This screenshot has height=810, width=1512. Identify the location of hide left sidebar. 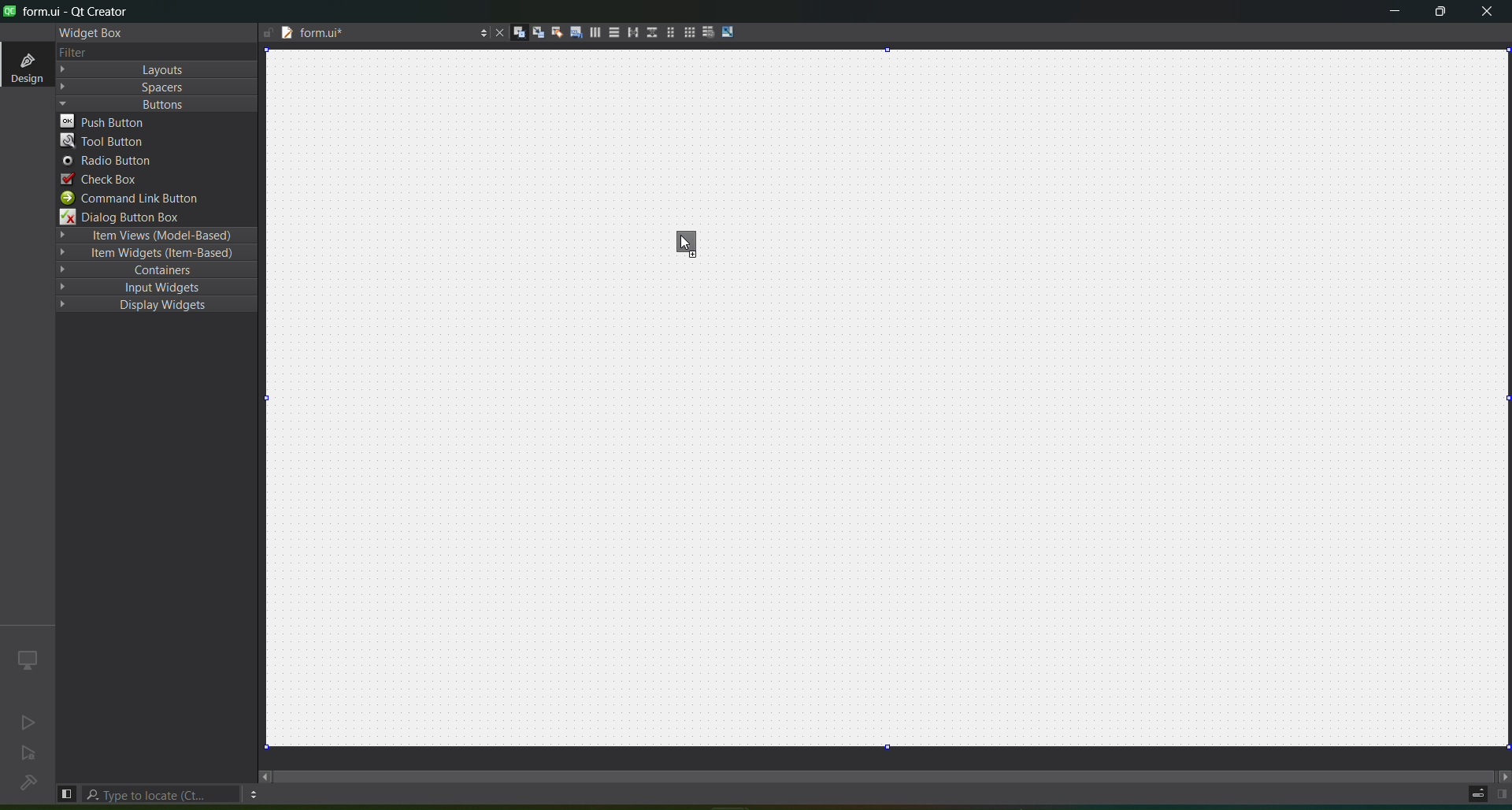
(67, 793).